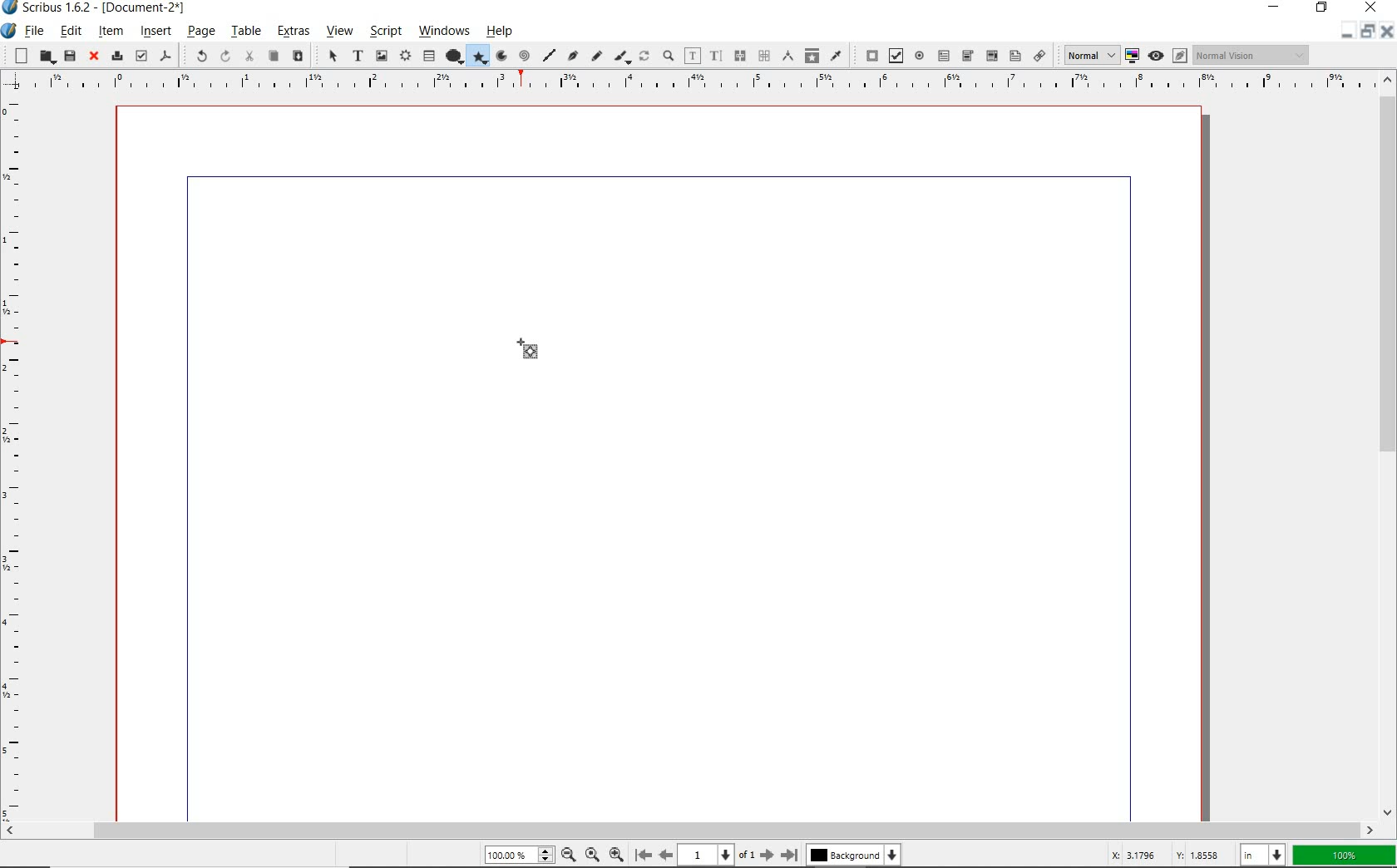 This screenshot has height=868, width=1397. Describe the element at coordinates (405, 54) in the screenshot. I see `render frame` at that location.